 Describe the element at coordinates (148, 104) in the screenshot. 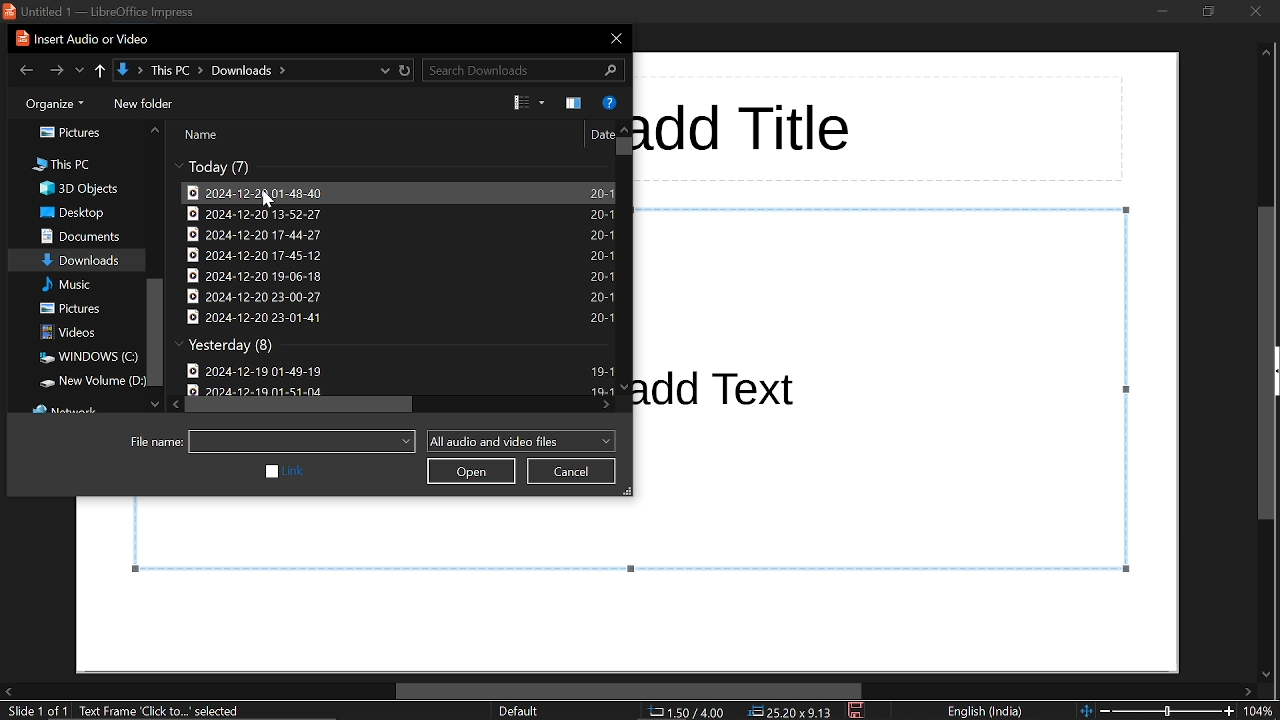

I see `new folder` at that location.